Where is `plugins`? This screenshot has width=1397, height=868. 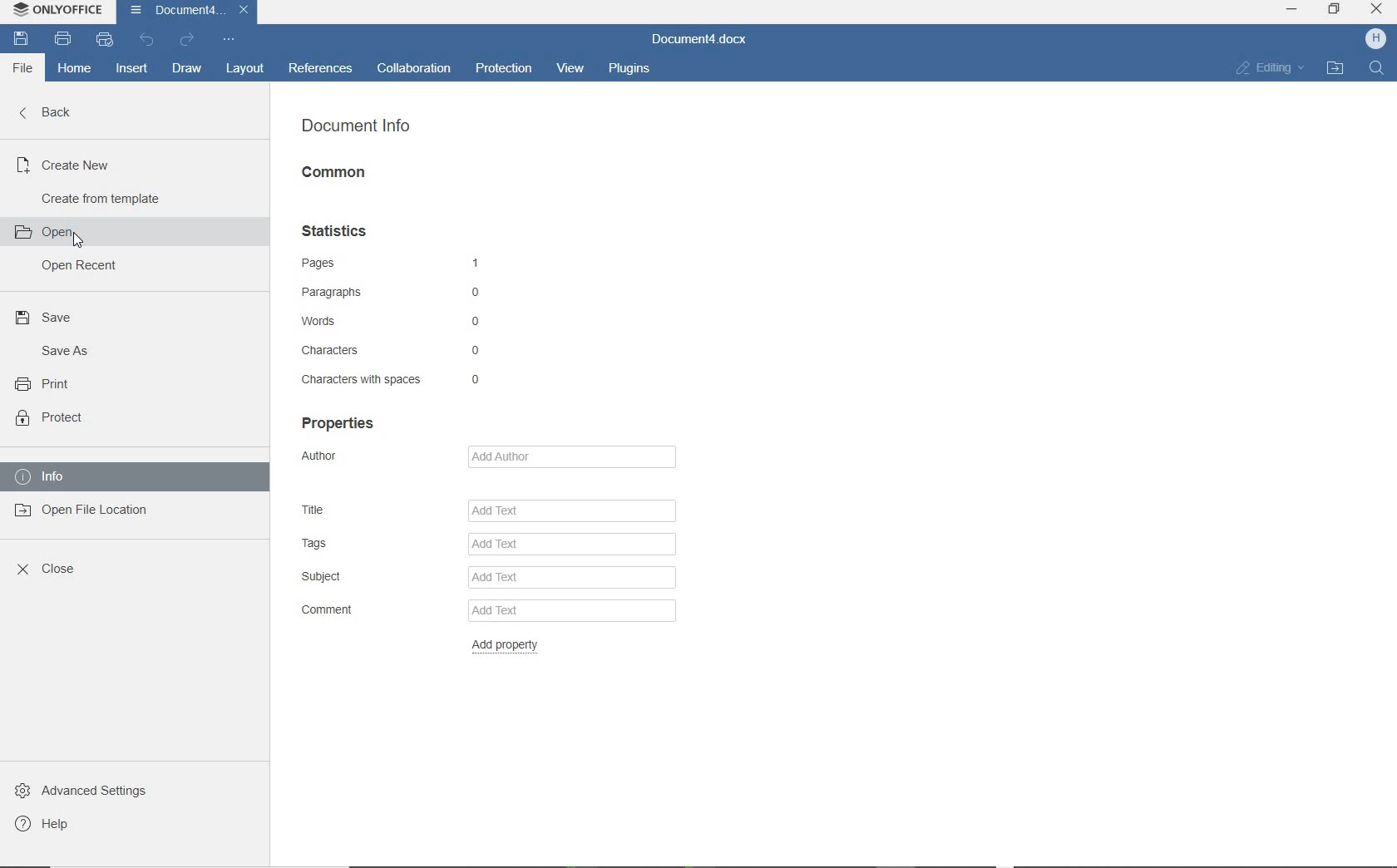 plugins is located at coordinates (628, 71).